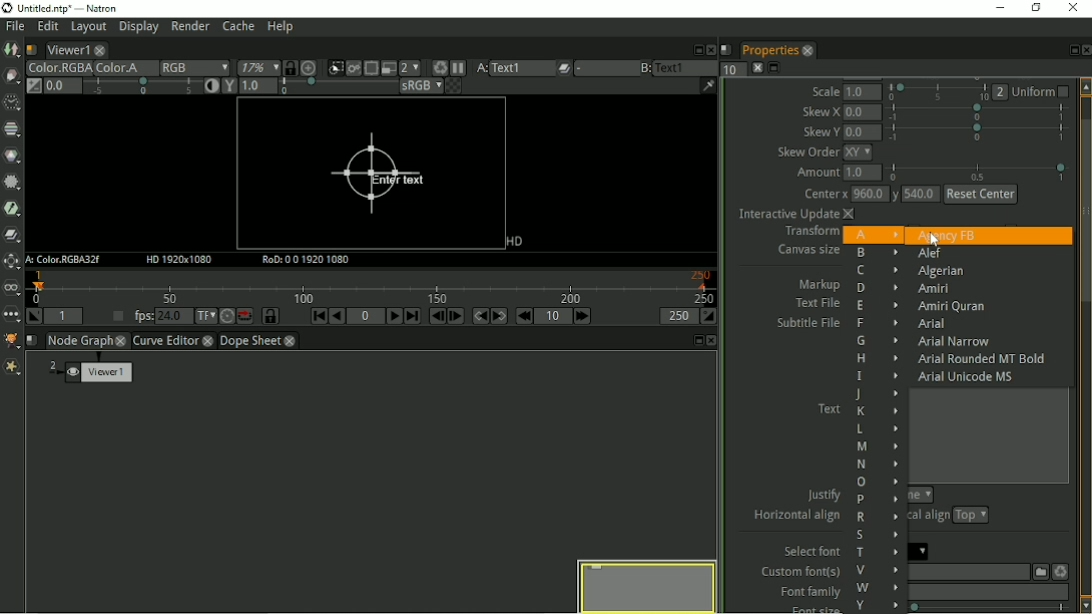  Describe the element at coordinates (815, 303) in the screenshot. I see `text file` at that location.